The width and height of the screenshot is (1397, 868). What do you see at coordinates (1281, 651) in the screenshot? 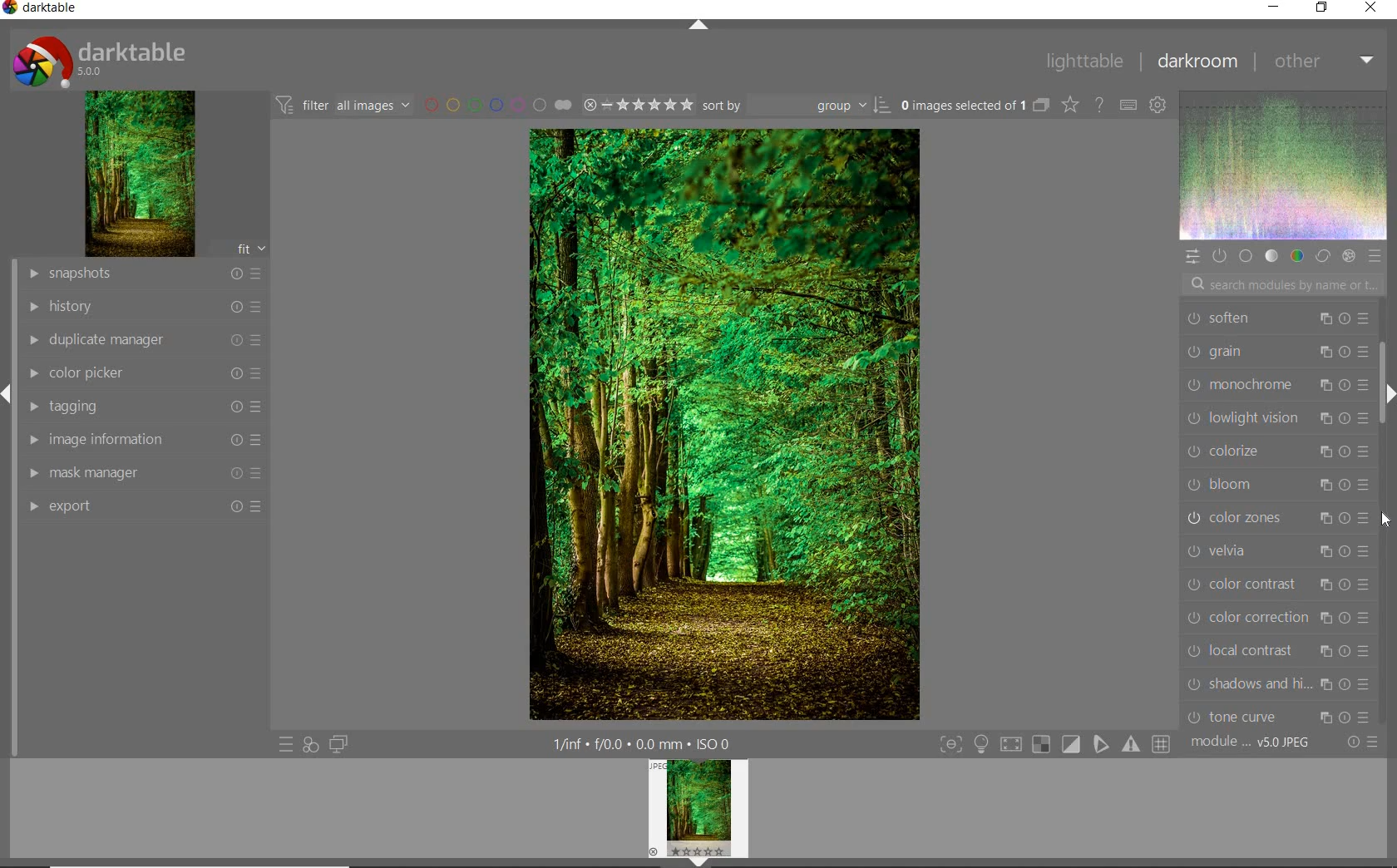
I see `local contrast` at bounding box center [1281, 651].